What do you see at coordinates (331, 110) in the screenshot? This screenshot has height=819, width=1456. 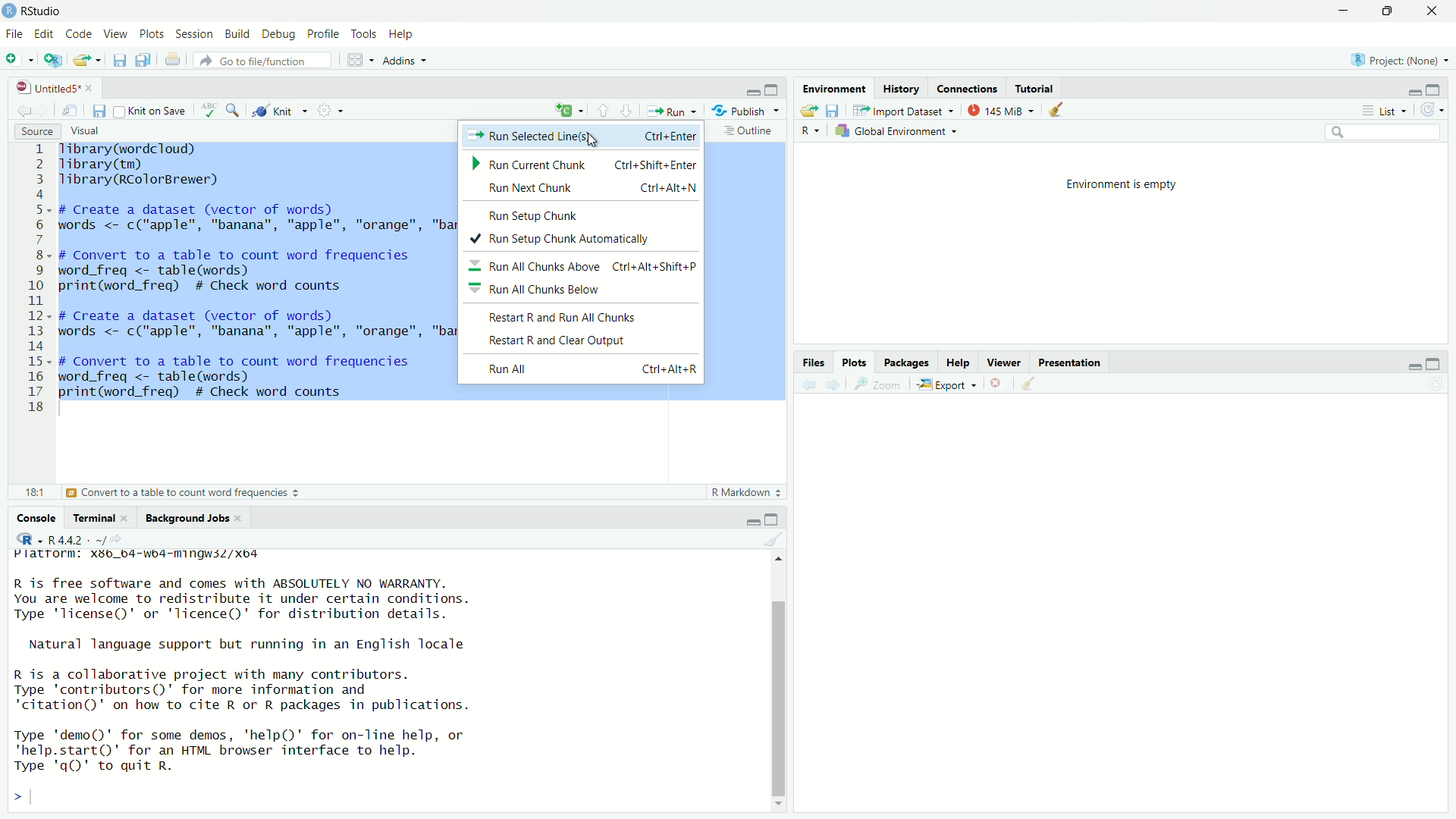 I see `Settings` at bounding box center [331, 110].